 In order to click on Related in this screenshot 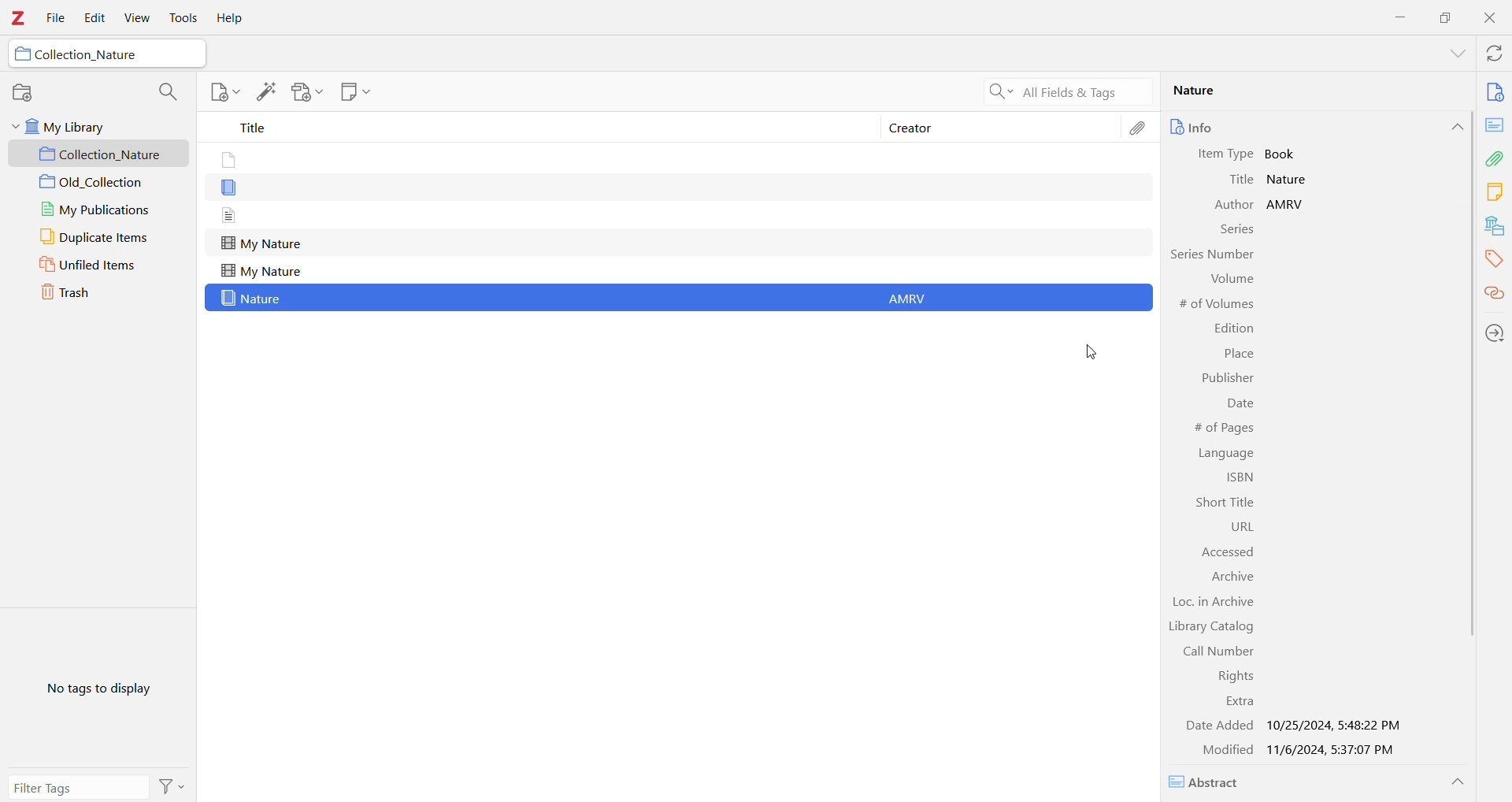, I will do `click(1493, 295)`.